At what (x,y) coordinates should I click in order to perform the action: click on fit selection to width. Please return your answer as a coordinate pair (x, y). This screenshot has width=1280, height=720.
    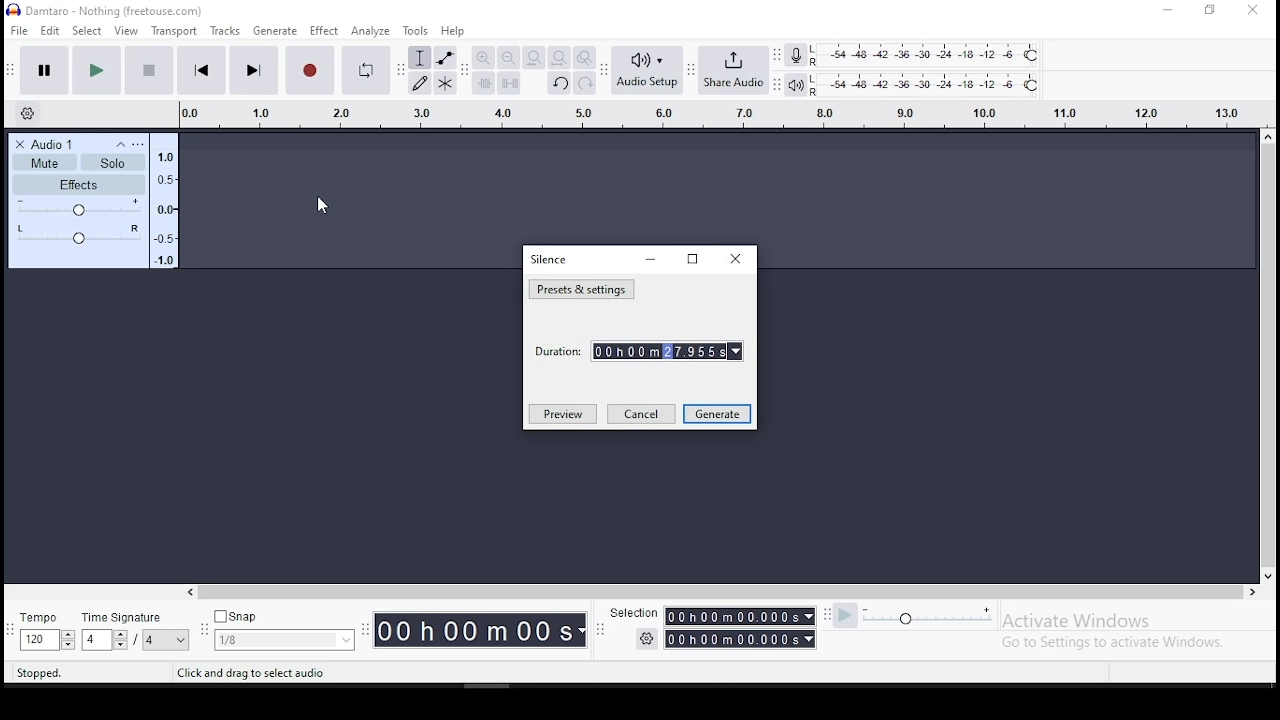
    Looking at the image, I should click on (531, 57).